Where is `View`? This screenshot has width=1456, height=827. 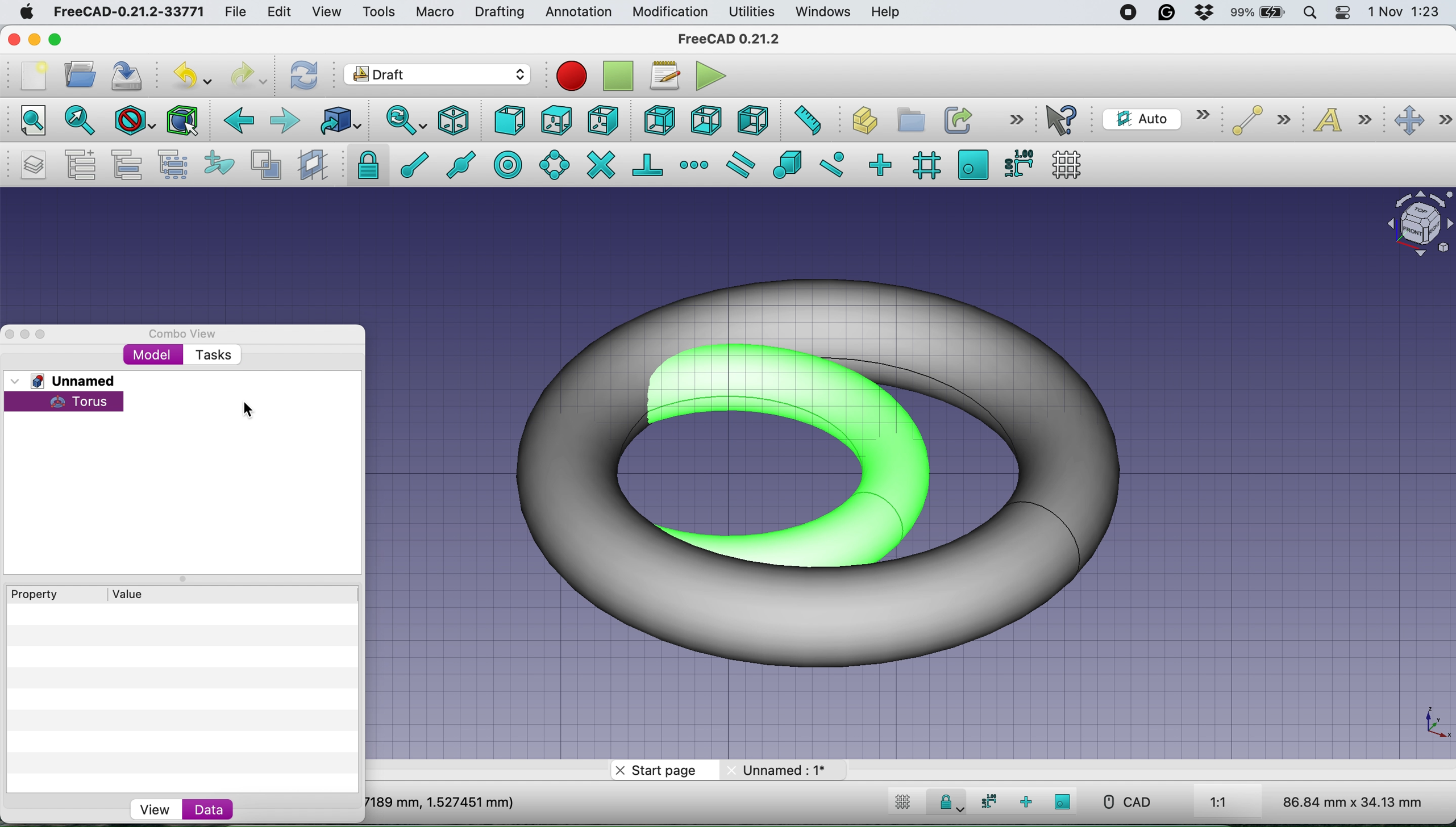
View is located at coordinates (156, 808).